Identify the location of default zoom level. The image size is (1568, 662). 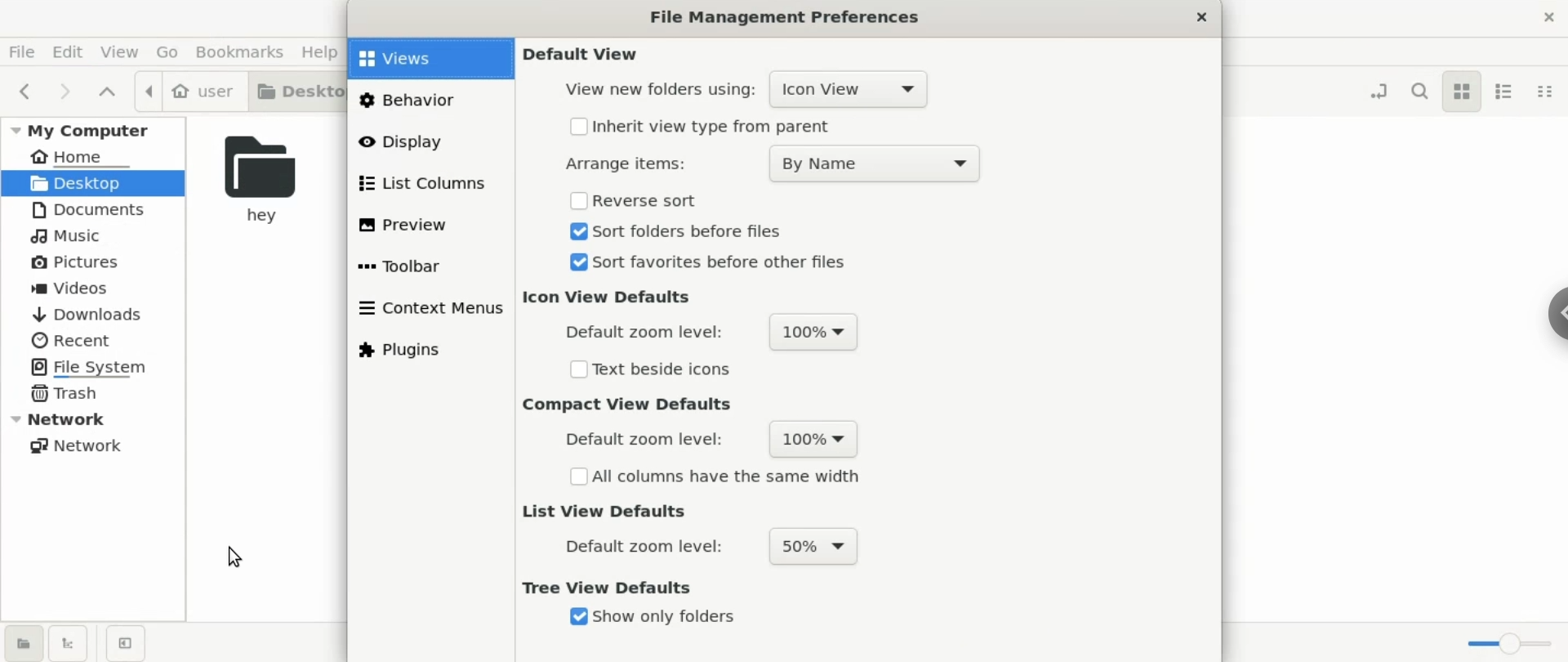
(641, 332).